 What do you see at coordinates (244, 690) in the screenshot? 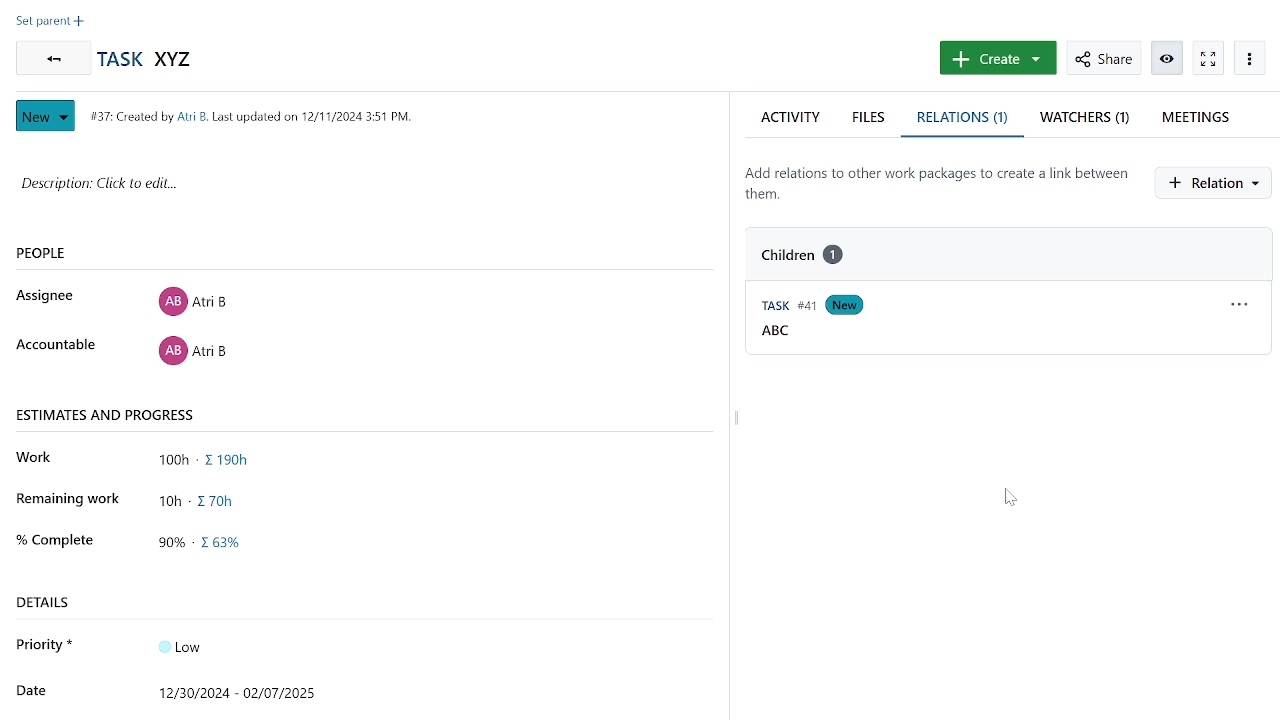
I see `date` at bounding box center [244, 690].